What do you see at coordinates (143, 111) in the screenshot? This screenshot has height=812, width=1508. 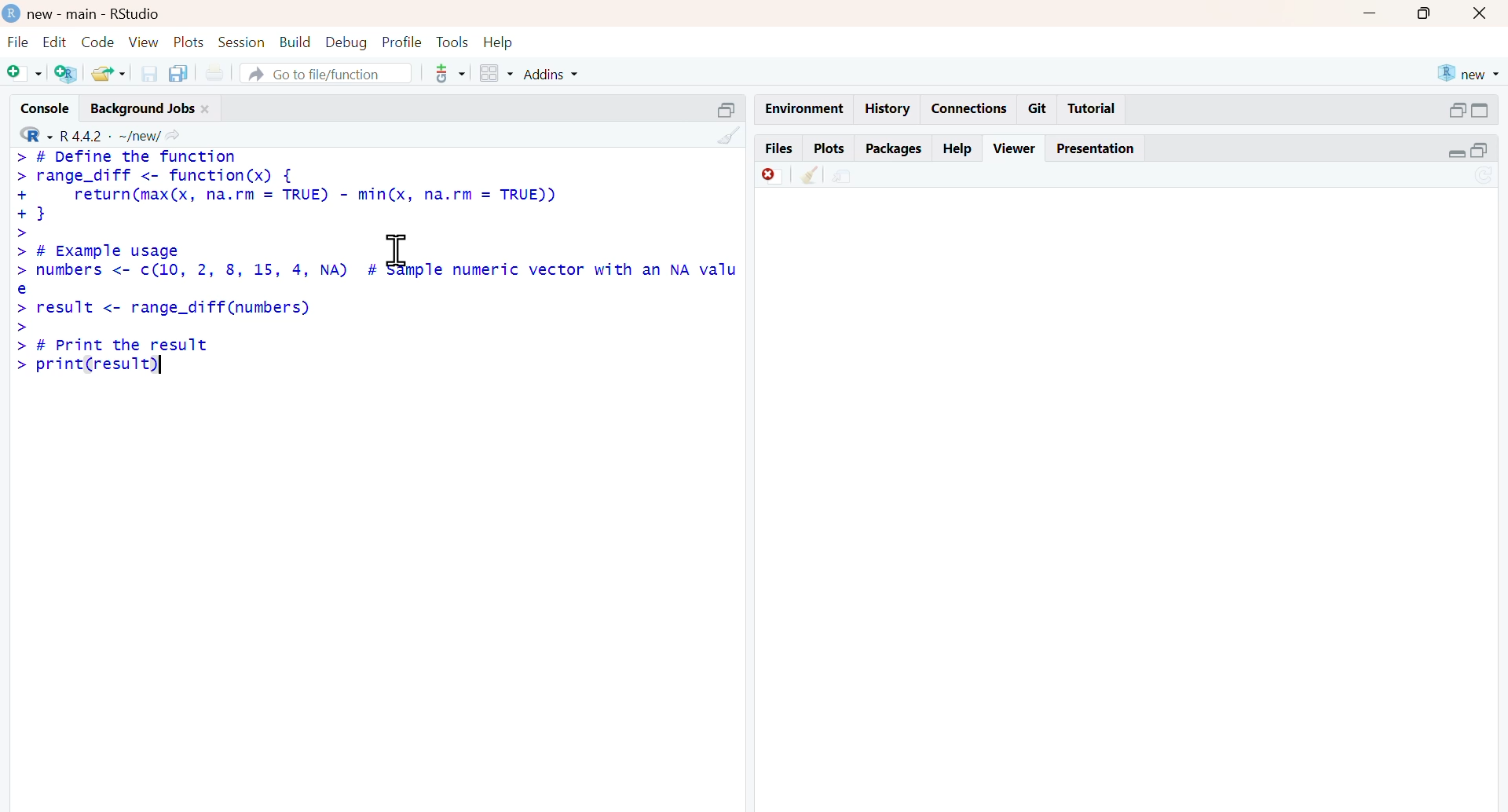 I see `background jobs` at bounding box center [143, 111].